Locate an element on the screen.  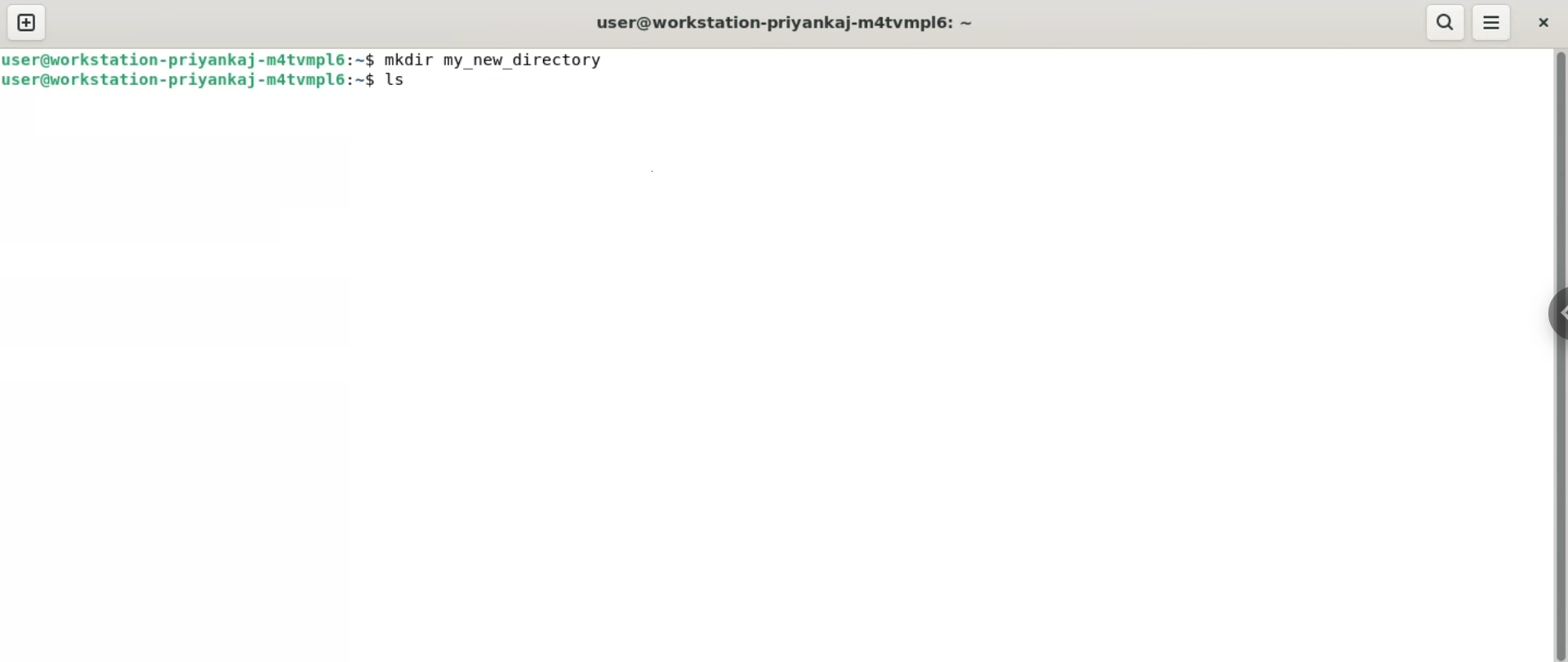
close is located at coordinates (1547, 21).